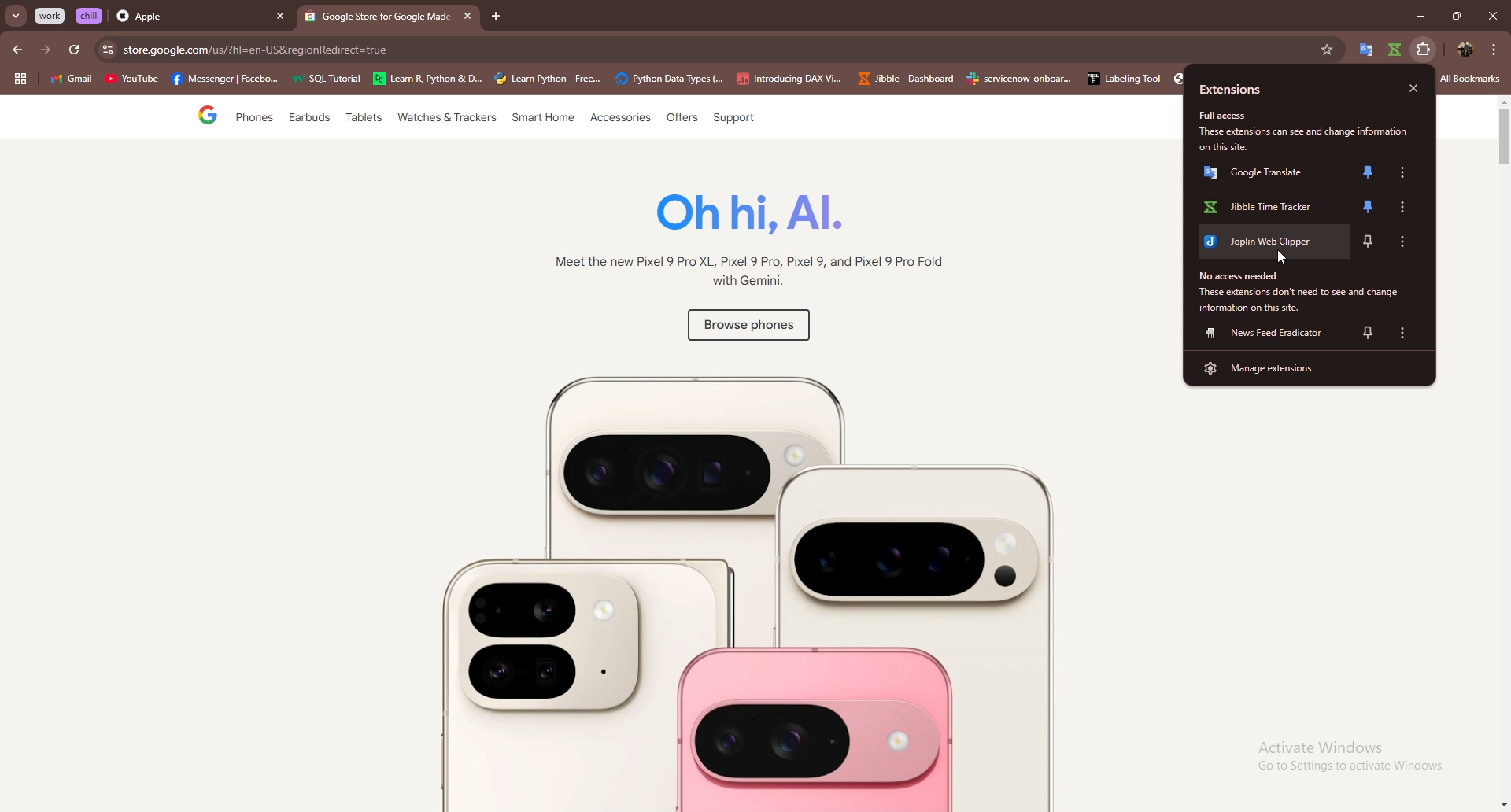 Image resolution: width=1511 pixels, height=812 pixels. I want to click on close, so click(1492, 16).